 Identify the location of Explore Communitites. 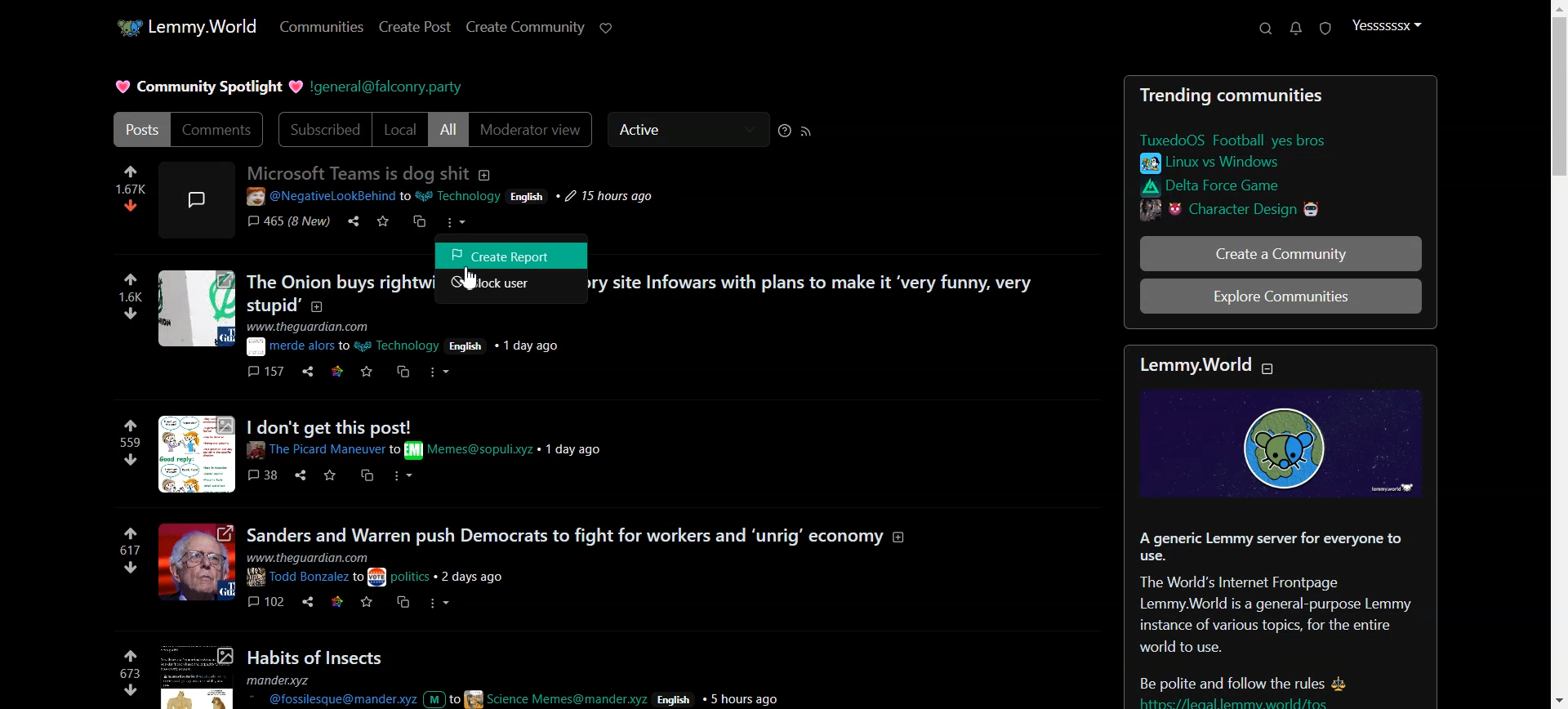
(1281, 297).